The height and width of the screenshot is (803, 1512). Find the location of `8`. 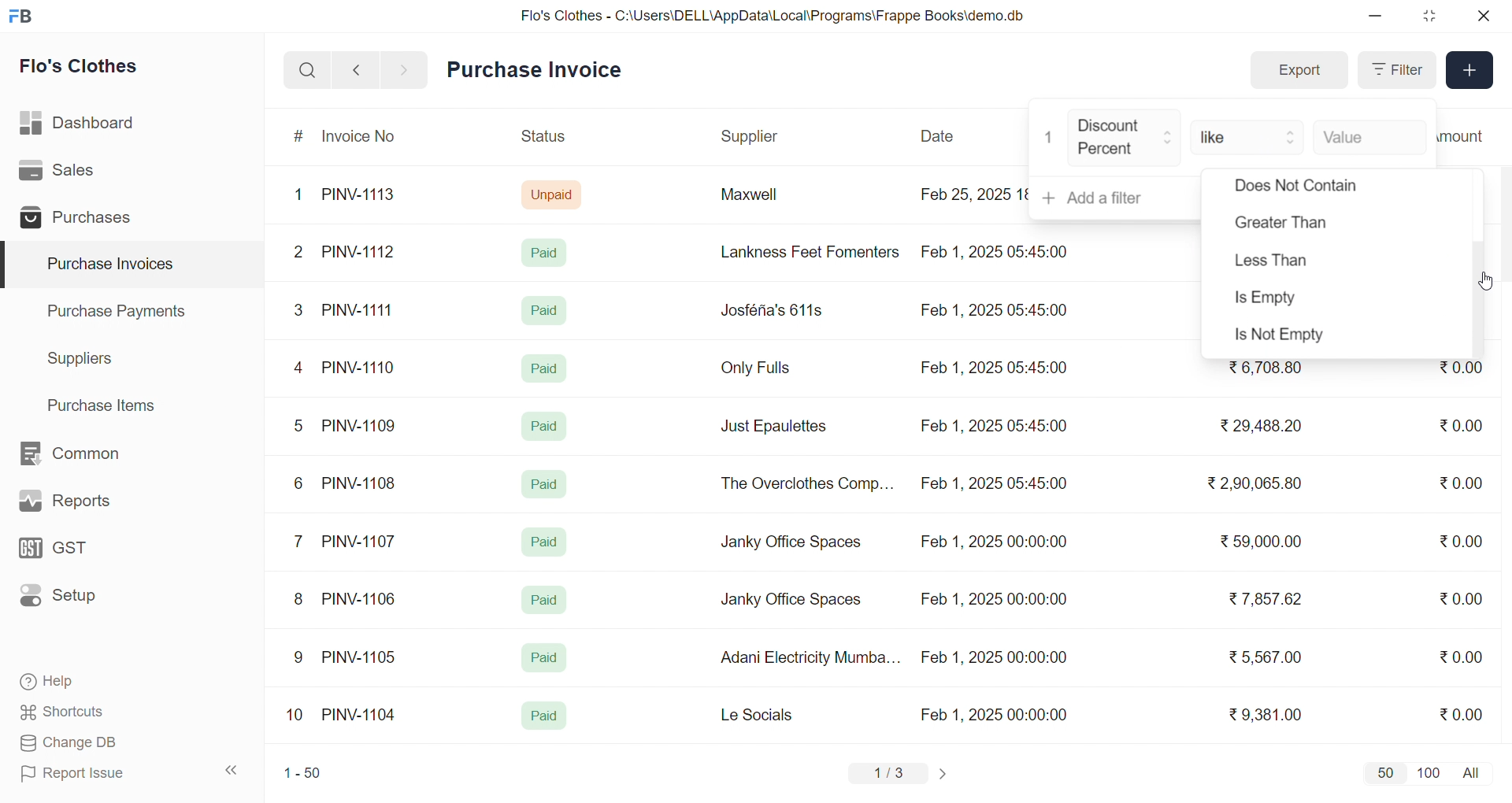

8 is located at coordinates (299, 601).